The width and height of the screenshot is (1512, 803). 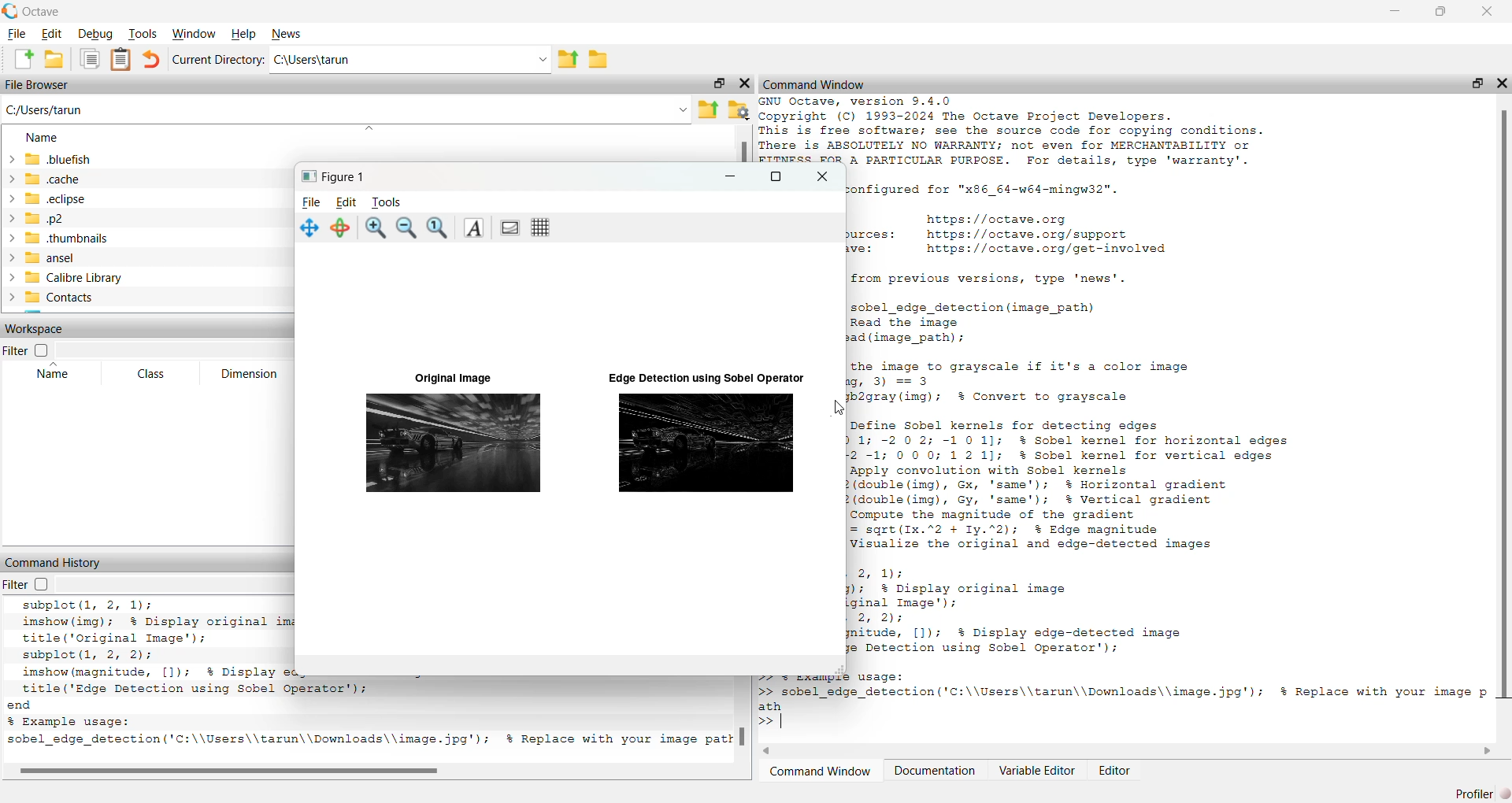 I want to click on checkbox, so click(x=46, y=350).